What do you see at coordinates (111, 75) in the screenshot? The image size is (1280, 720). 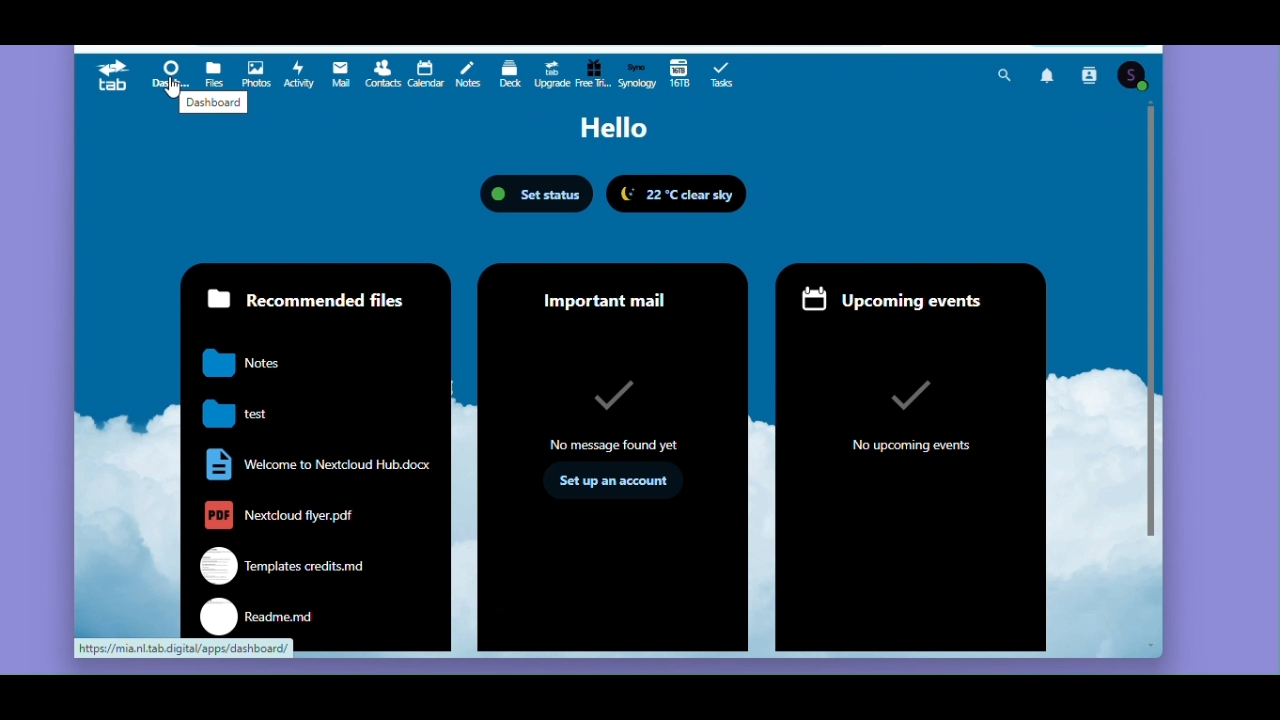 I see `tab` at bounding box center [111, 75].